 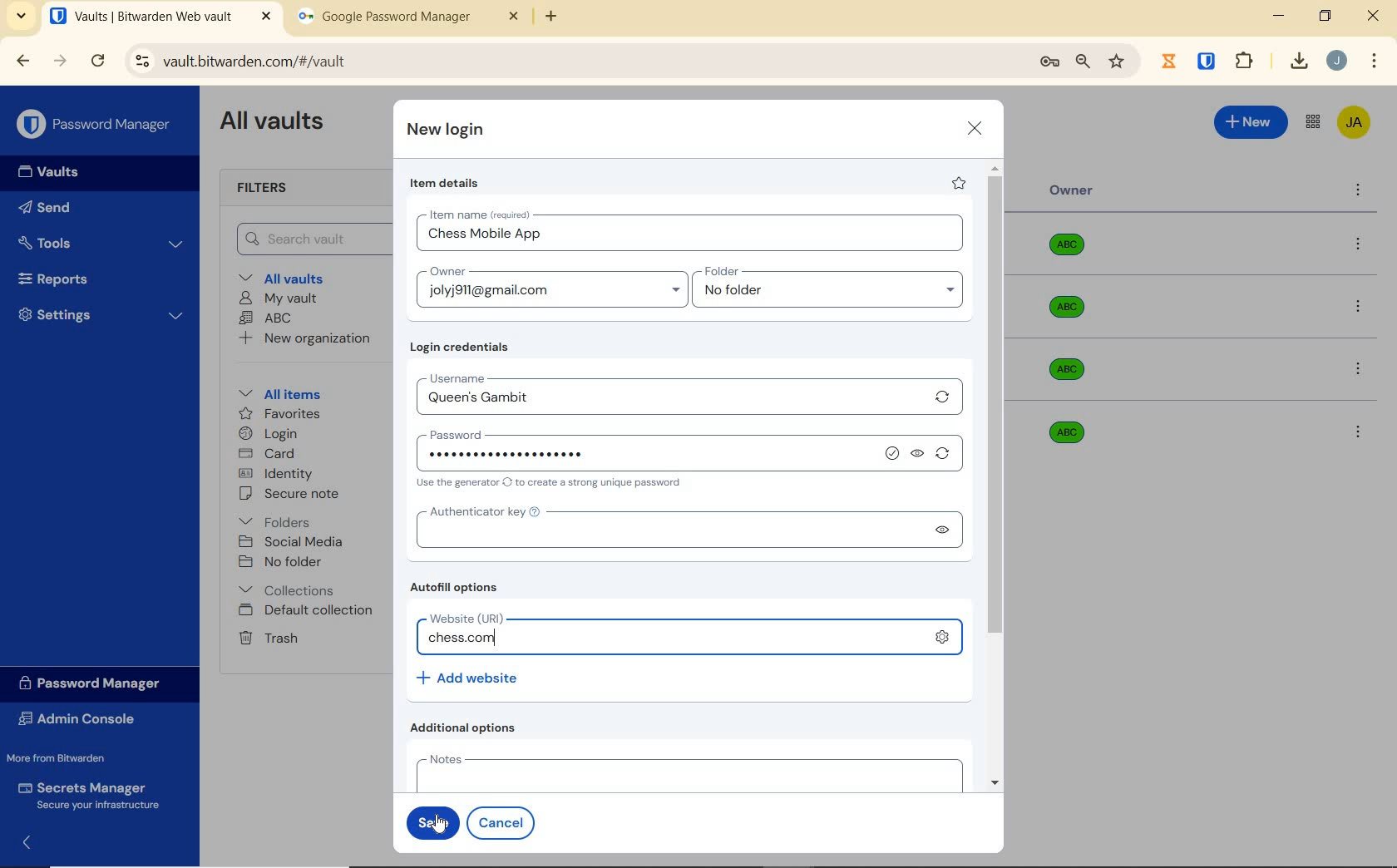 What do you see at coordinates (1354, 124) in the screenshot?
I see `Bitwarden Account` at bounding box center [1354, 124].